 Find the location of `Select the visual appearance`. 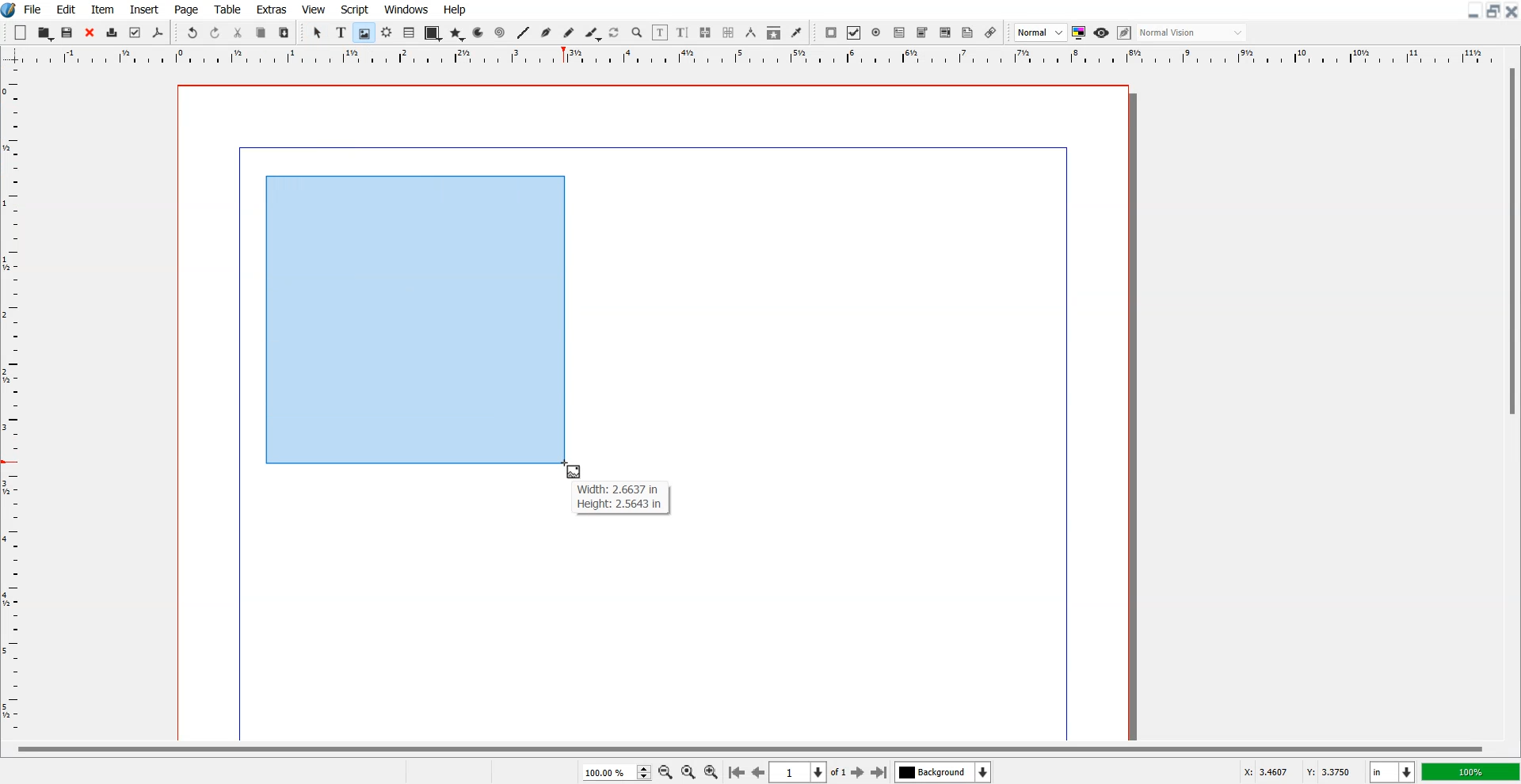

Select the visual appearance is located at coordinates (1193, 33).